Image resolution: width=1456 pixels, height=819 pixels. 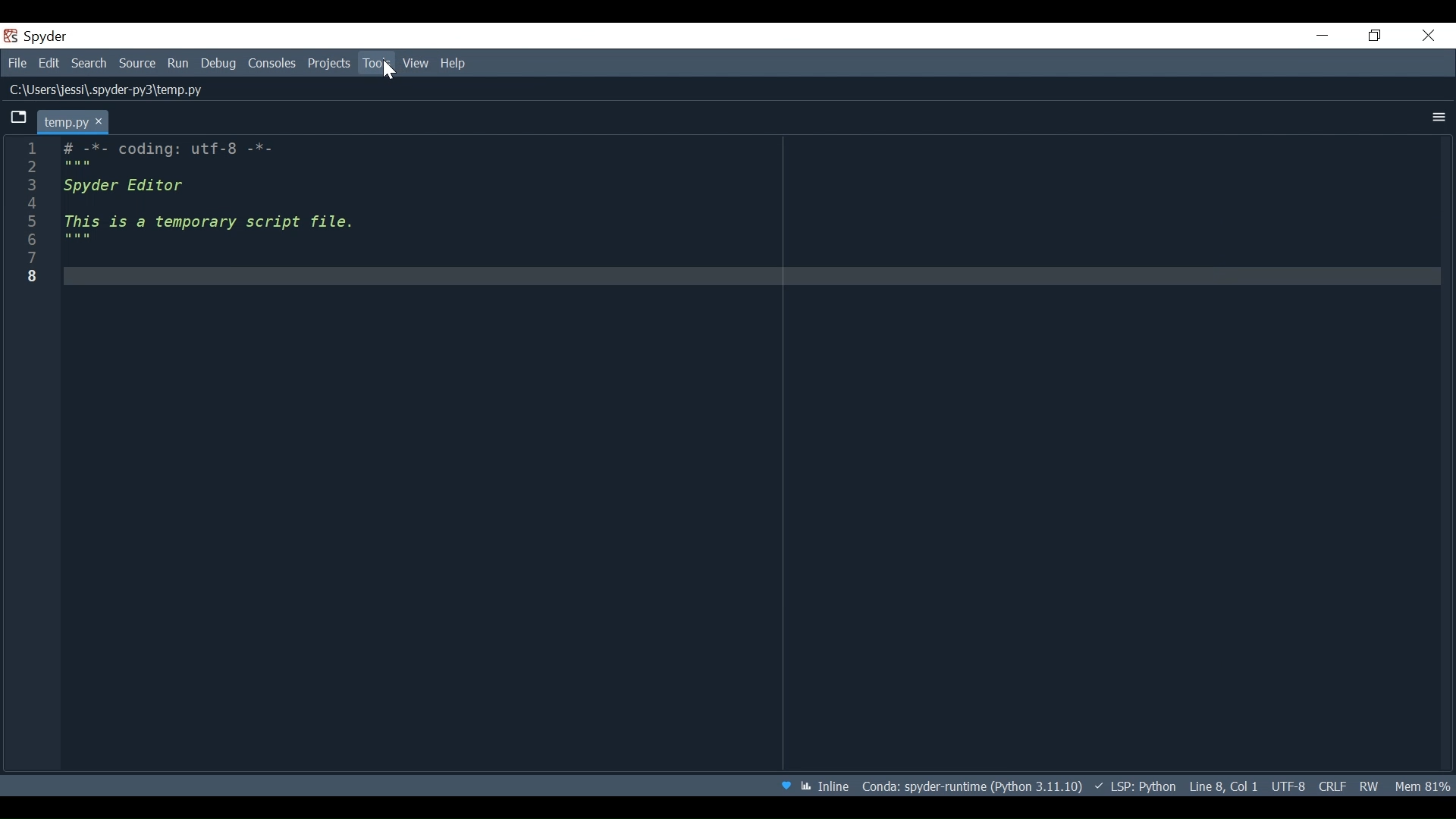 What do you see at coordinates (1369, 784) in the screenshot?
I see `File Permission` at bounding box center [1369, 784].